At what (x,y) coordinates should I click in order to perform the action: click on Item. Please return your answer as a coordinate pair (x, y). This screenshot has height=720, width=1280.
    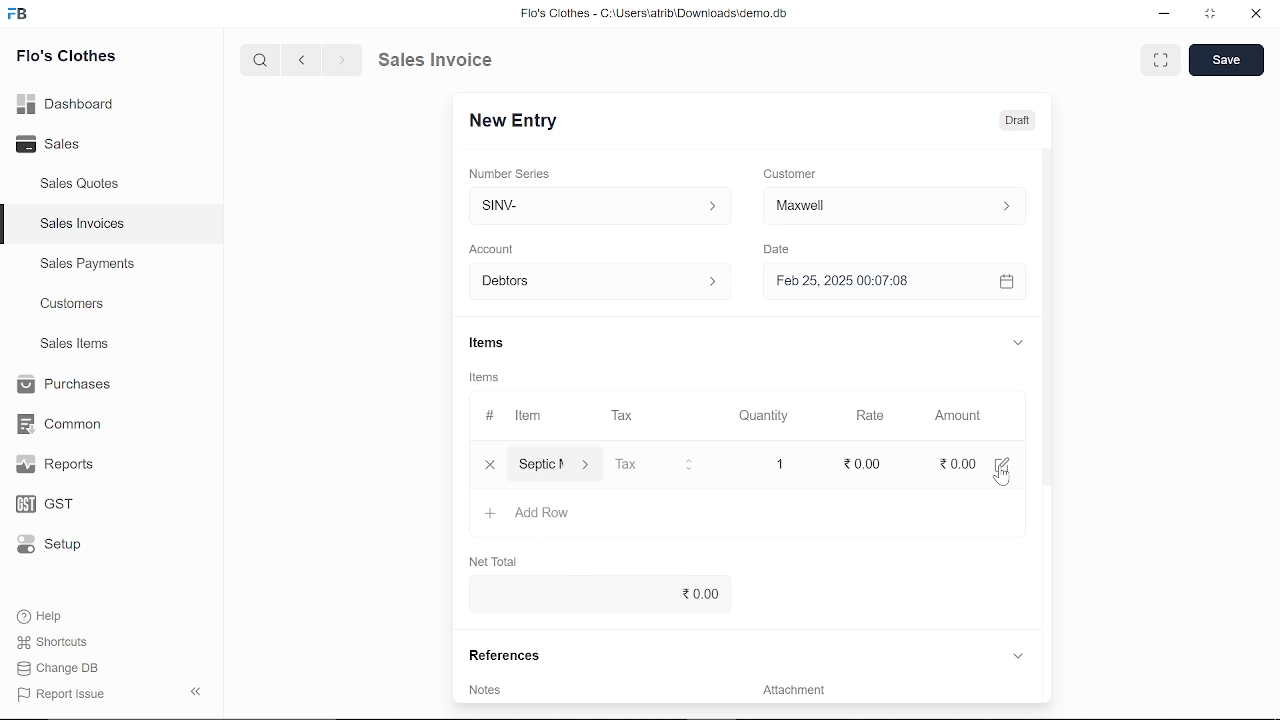
    Looking at the image, I should click on (550, 465).